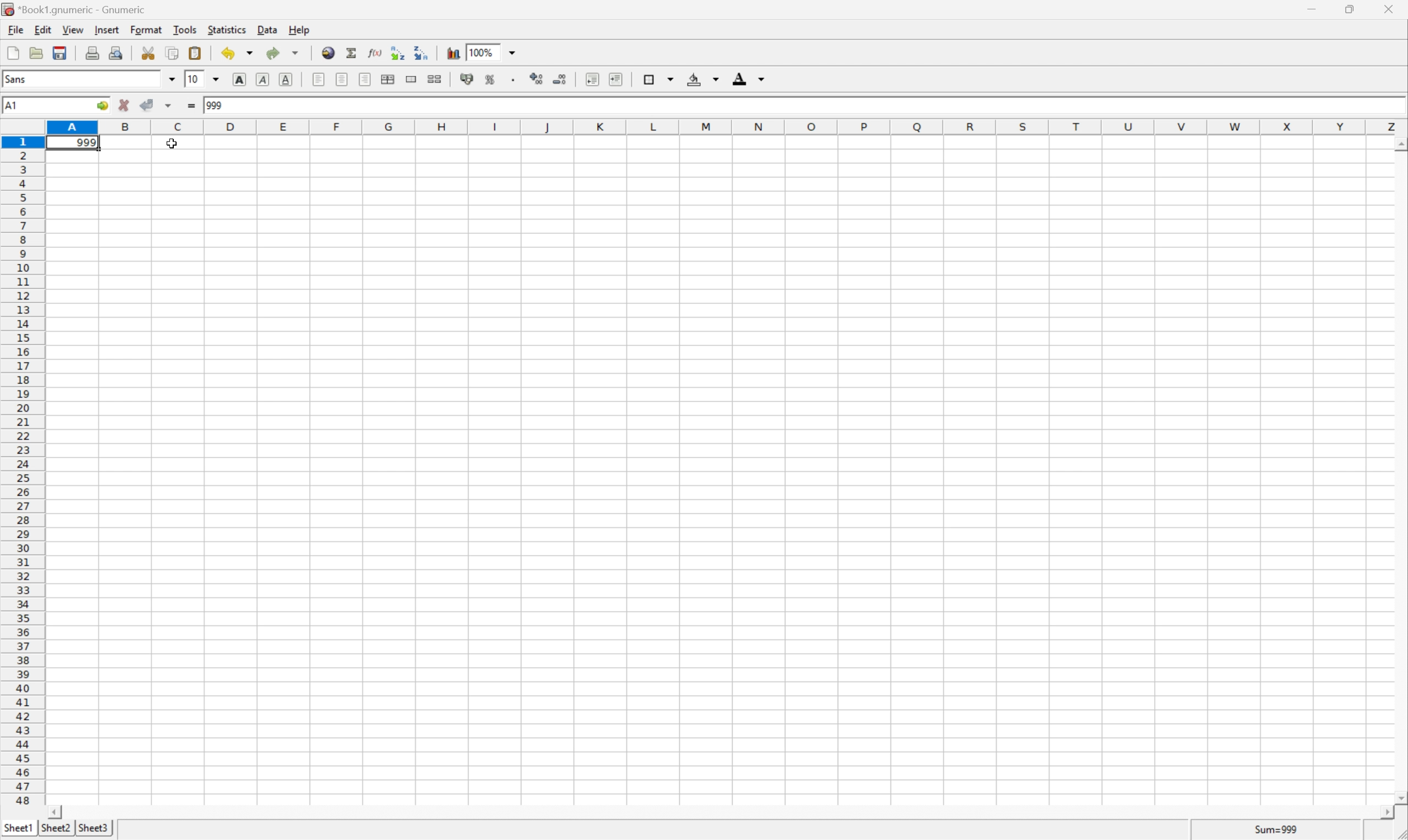  Describe the element at coordinates (729, 127) in the screenshot. I see `column names` at that location.